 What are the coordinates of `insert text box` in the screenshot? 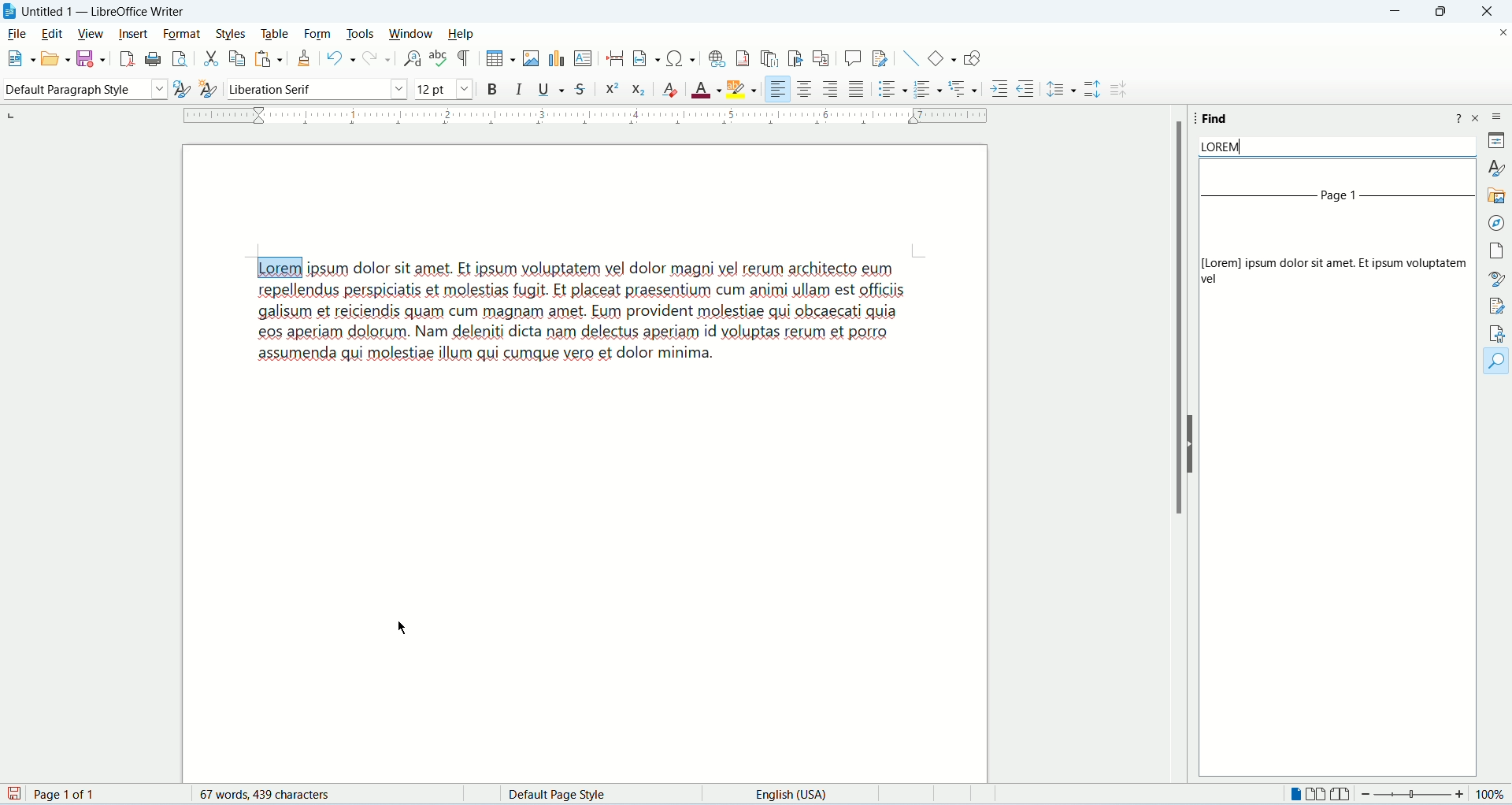 It's located at (584, 58).